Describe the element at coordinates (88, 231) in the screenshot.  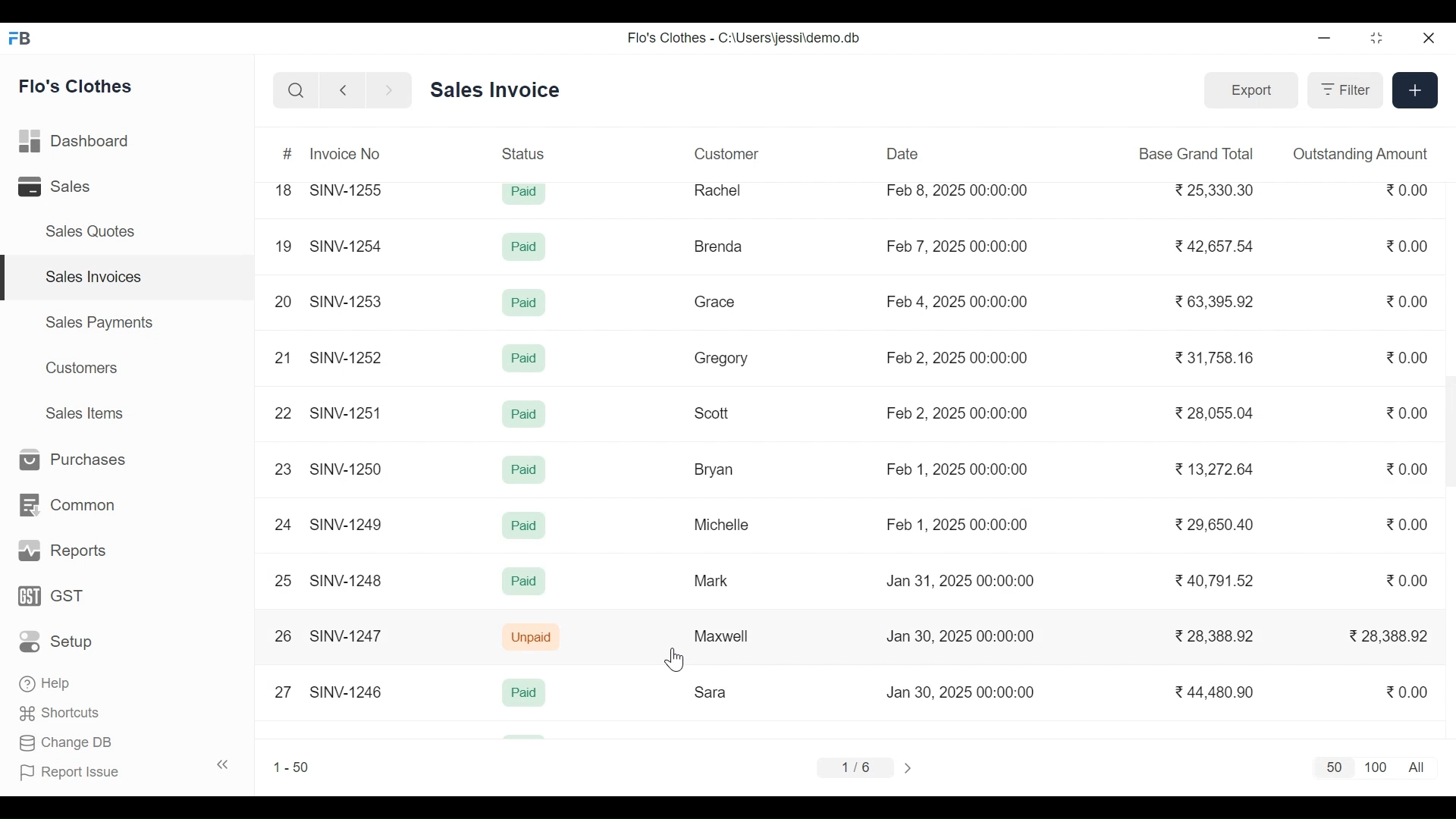
I see `Sales Quotes` at that location.